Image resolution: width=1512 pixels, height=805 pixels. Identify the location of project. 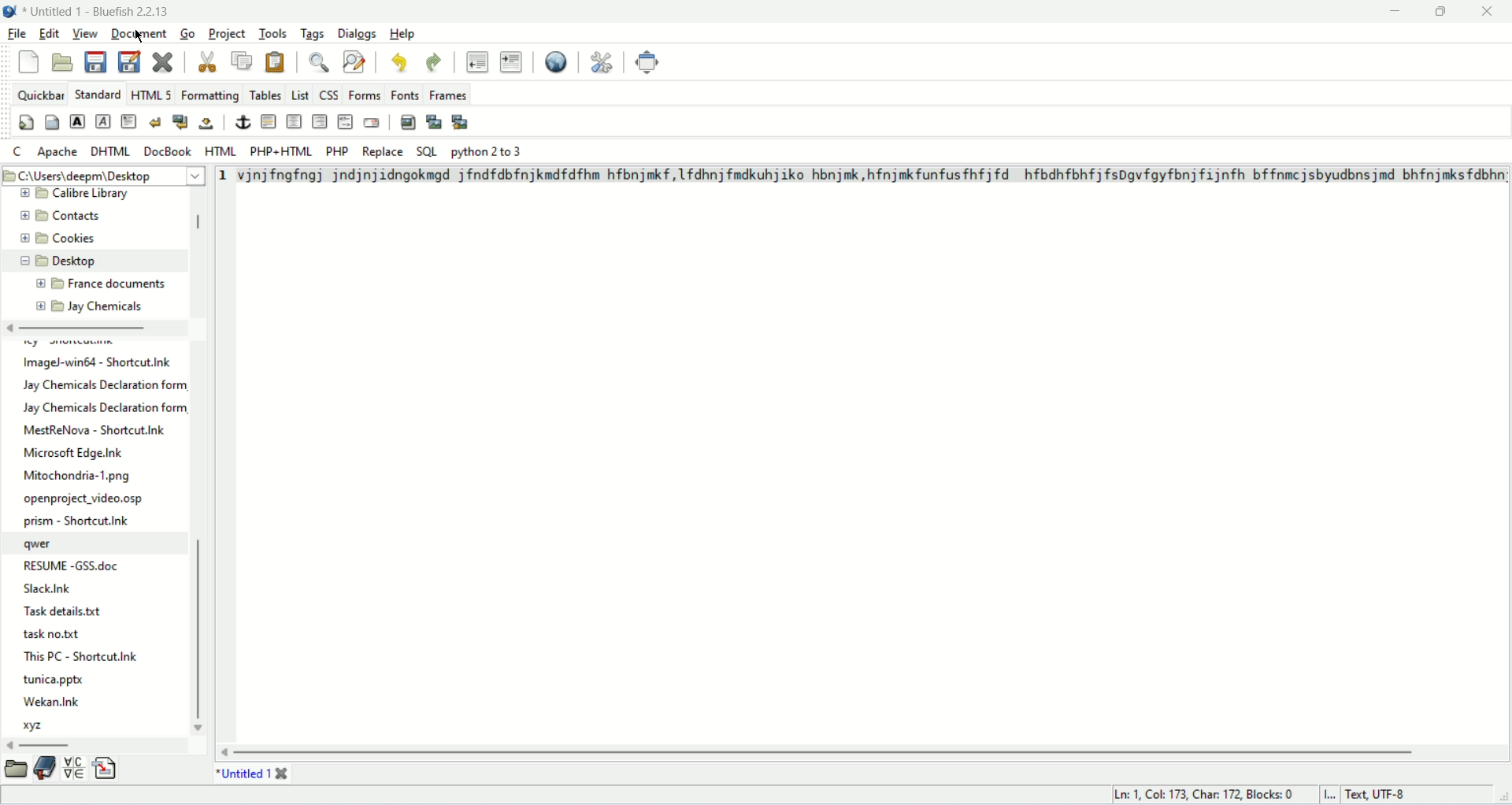
(227, 33).